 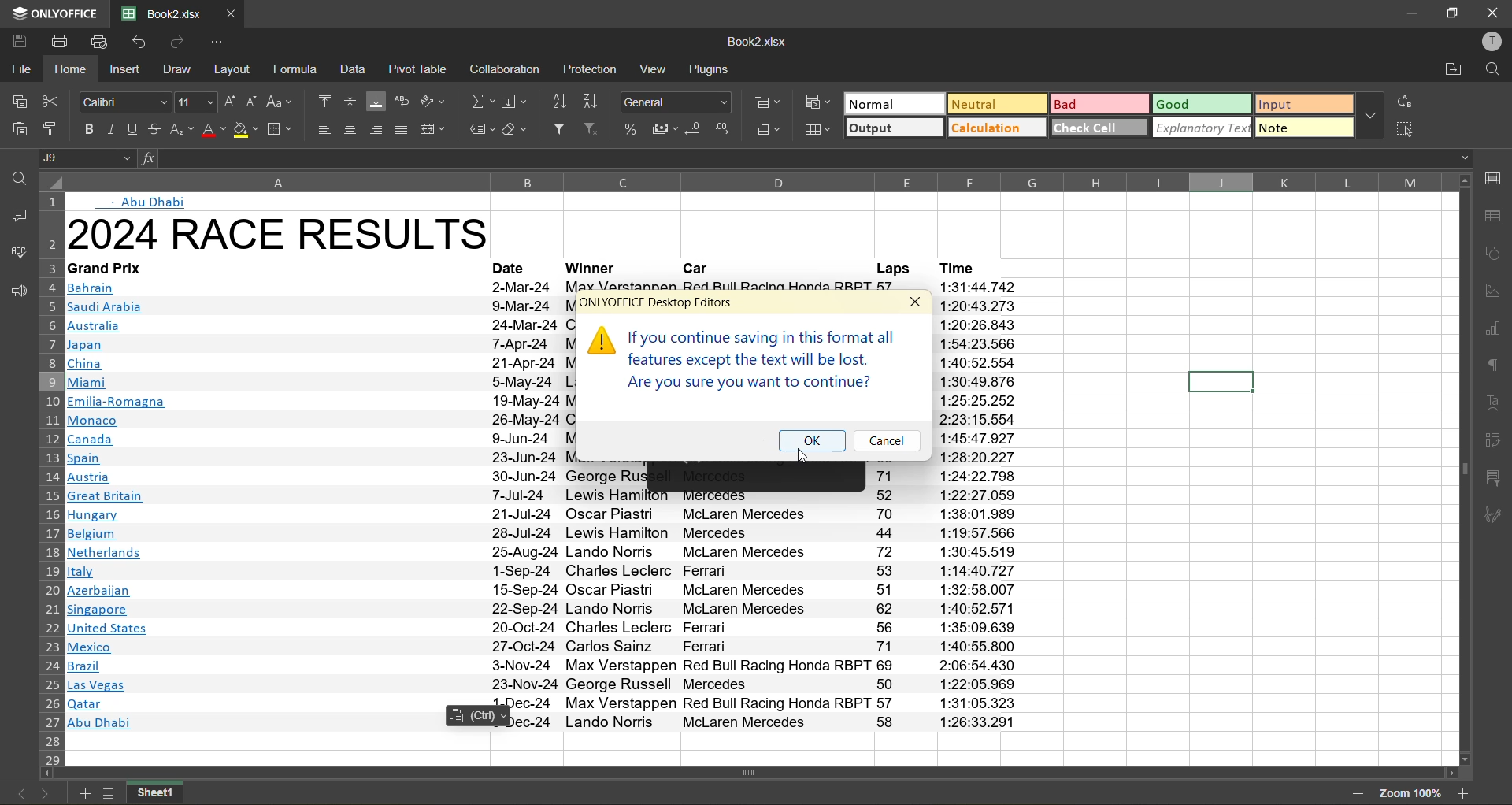 What do you see at coordinates (807, 159) in the screenshot?
I see `formula bar` at bounding box center [807, 159].